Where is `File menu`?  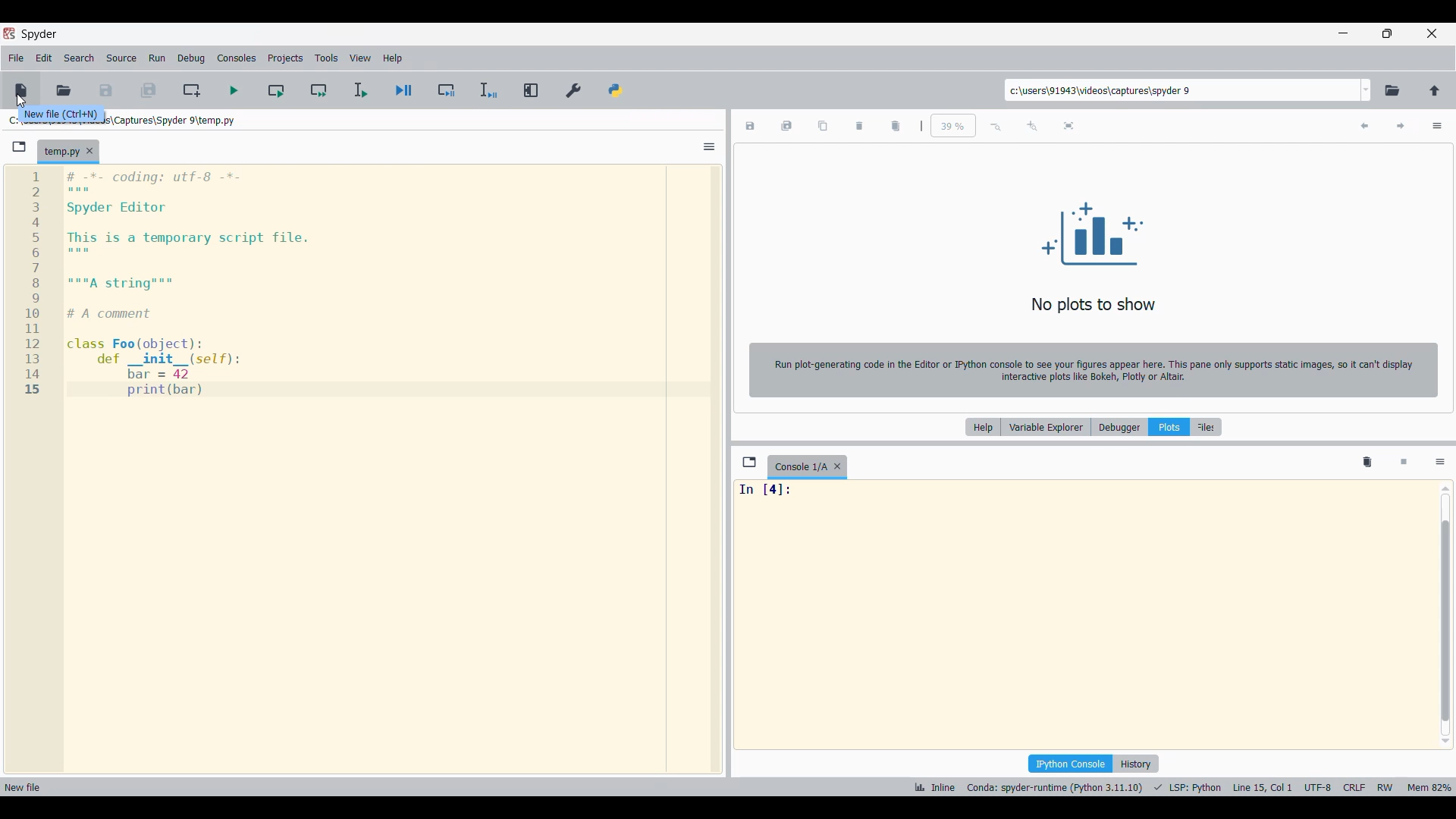 File menu is located at coordinates (17, 58).